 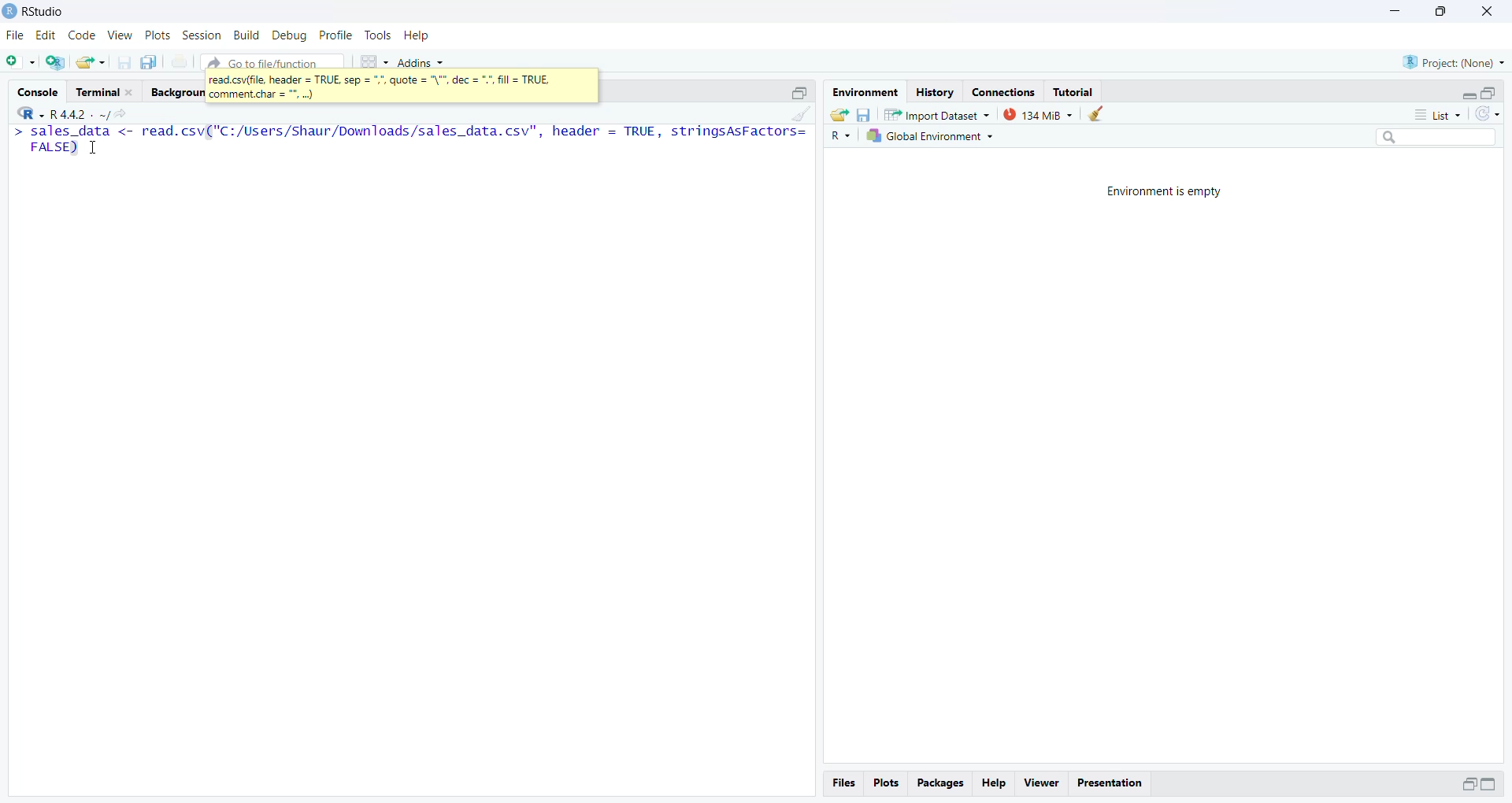 What do you see at coordinates (1437, 116) in the screenshot?
I see `List` at bounding box center [1437, 116].